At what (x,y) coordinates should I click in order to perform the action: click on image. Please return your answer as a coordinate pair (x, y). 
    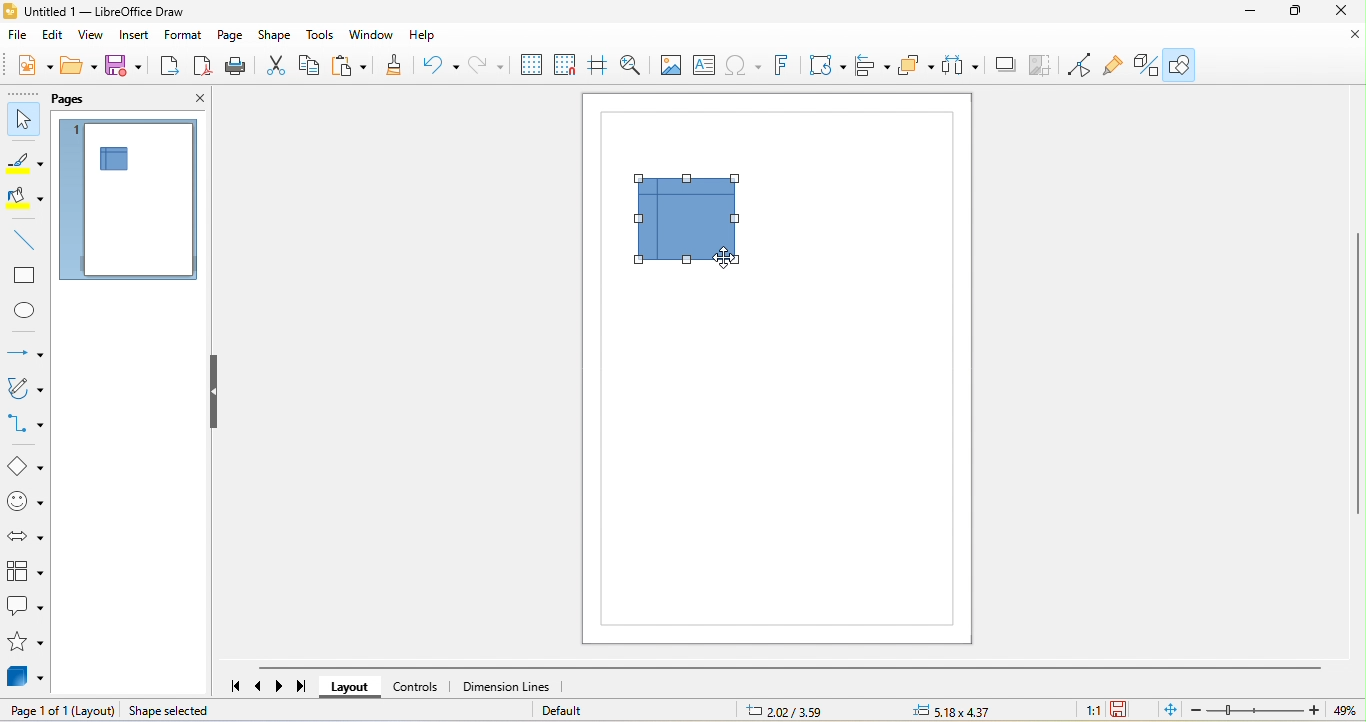
    Looking at the image, I should click on (669, 66).